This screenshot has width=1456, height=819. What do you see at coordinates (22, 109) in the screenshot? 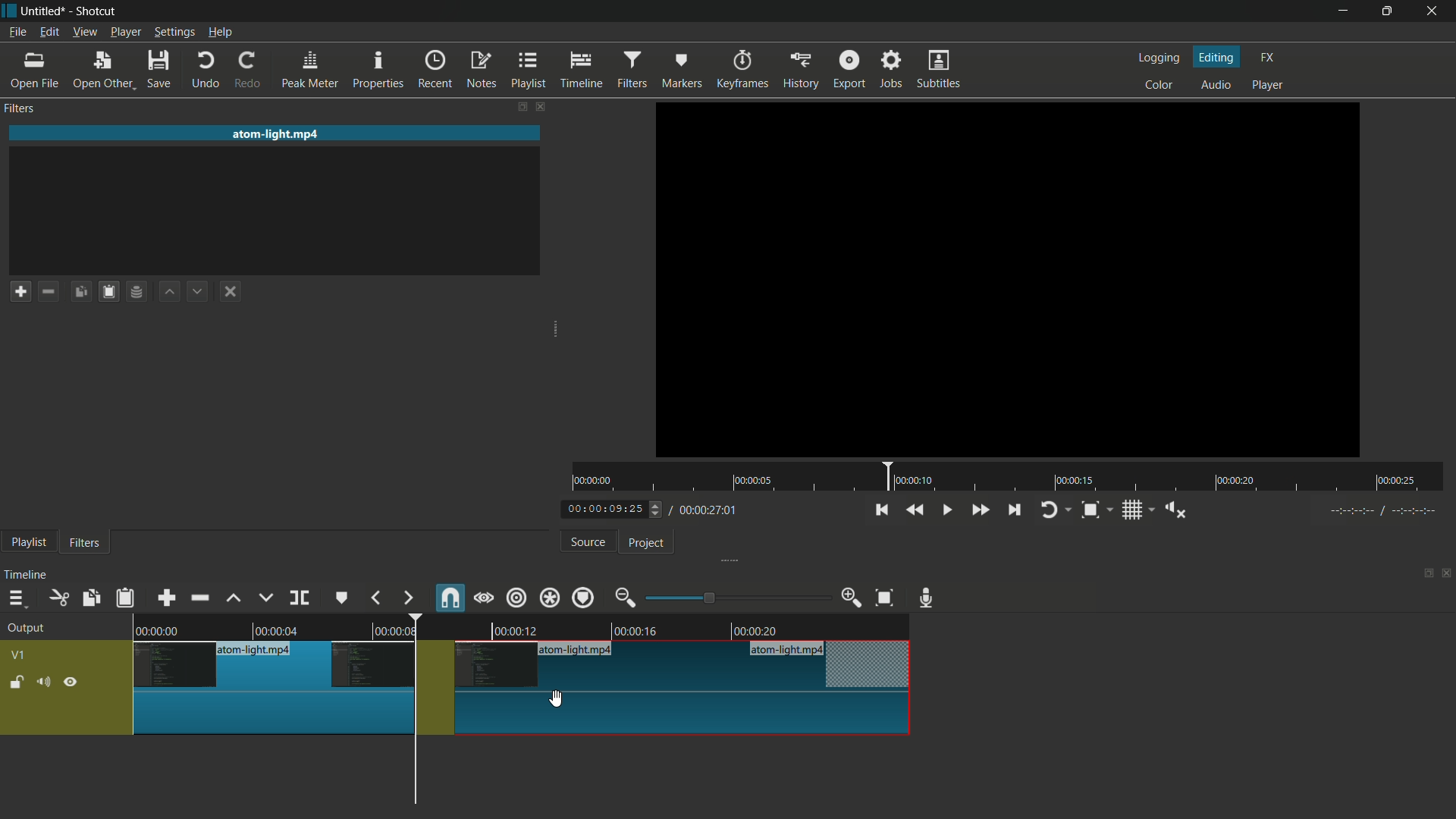
I see `filters` at bounding box center [22, 109].